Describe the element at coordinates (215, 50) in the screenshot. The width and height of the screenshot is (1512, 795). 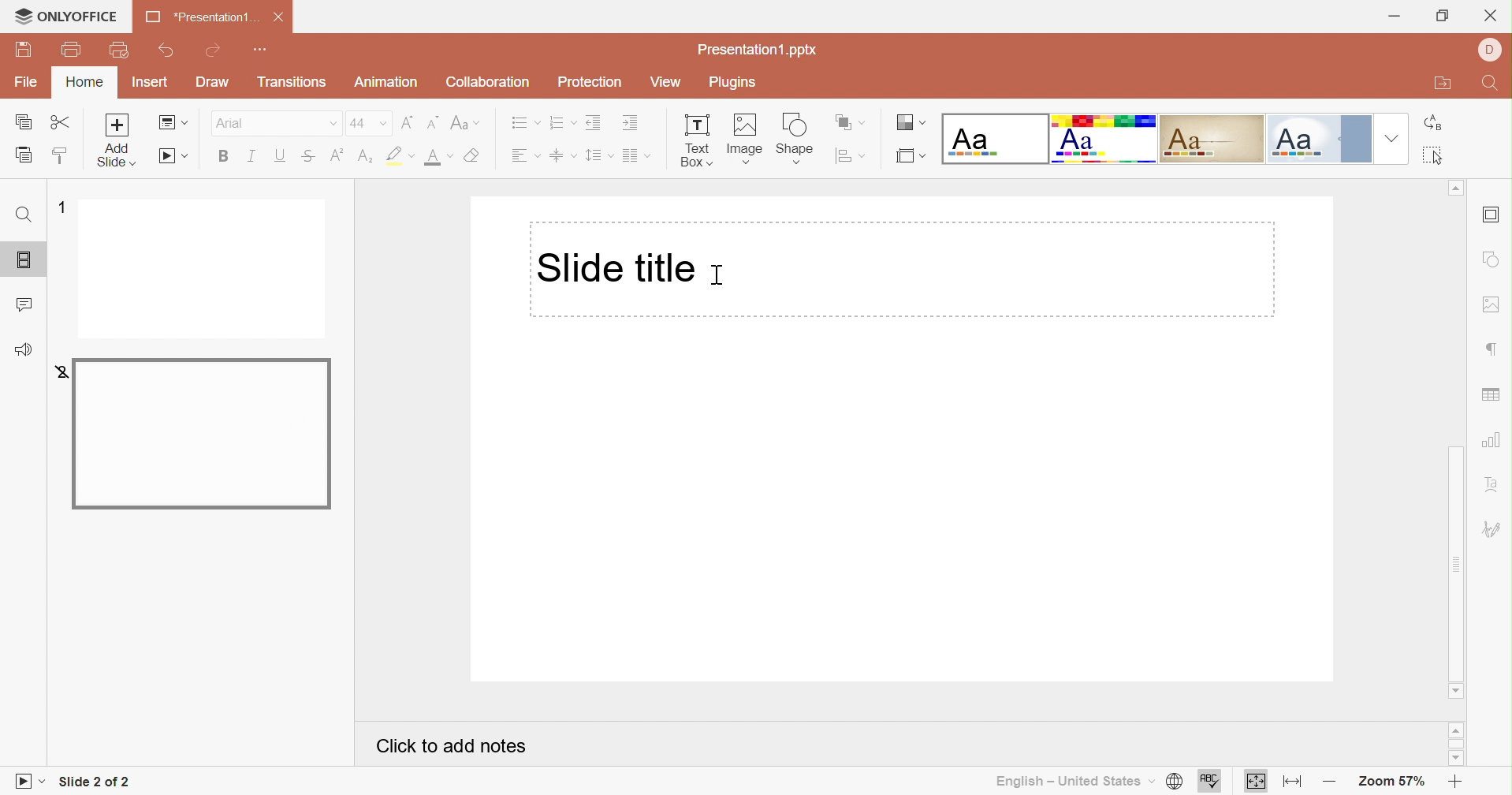
I see `Redo` at that location.